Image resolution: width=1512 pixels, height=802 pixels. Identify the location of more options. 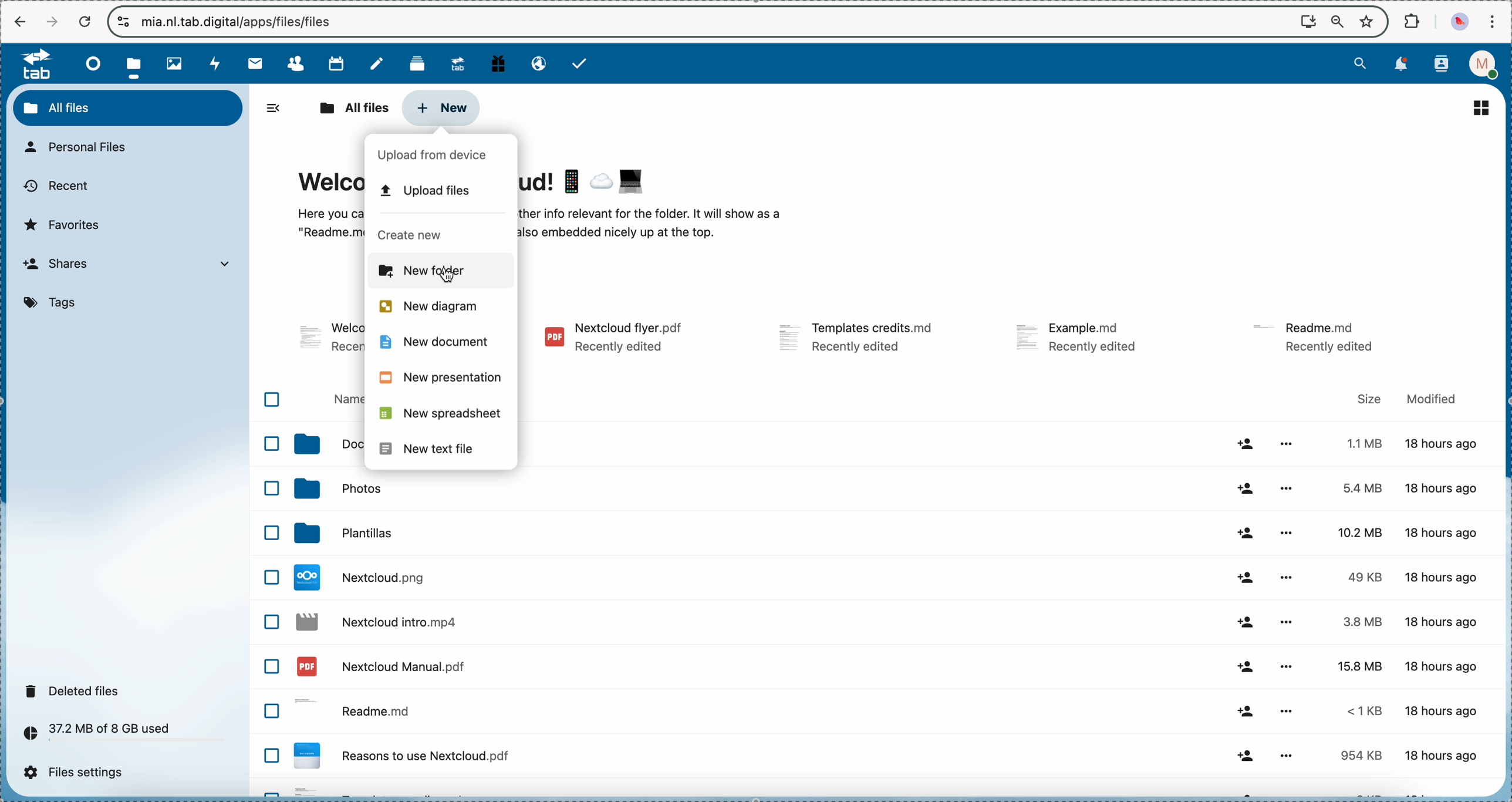
(1284, 712).